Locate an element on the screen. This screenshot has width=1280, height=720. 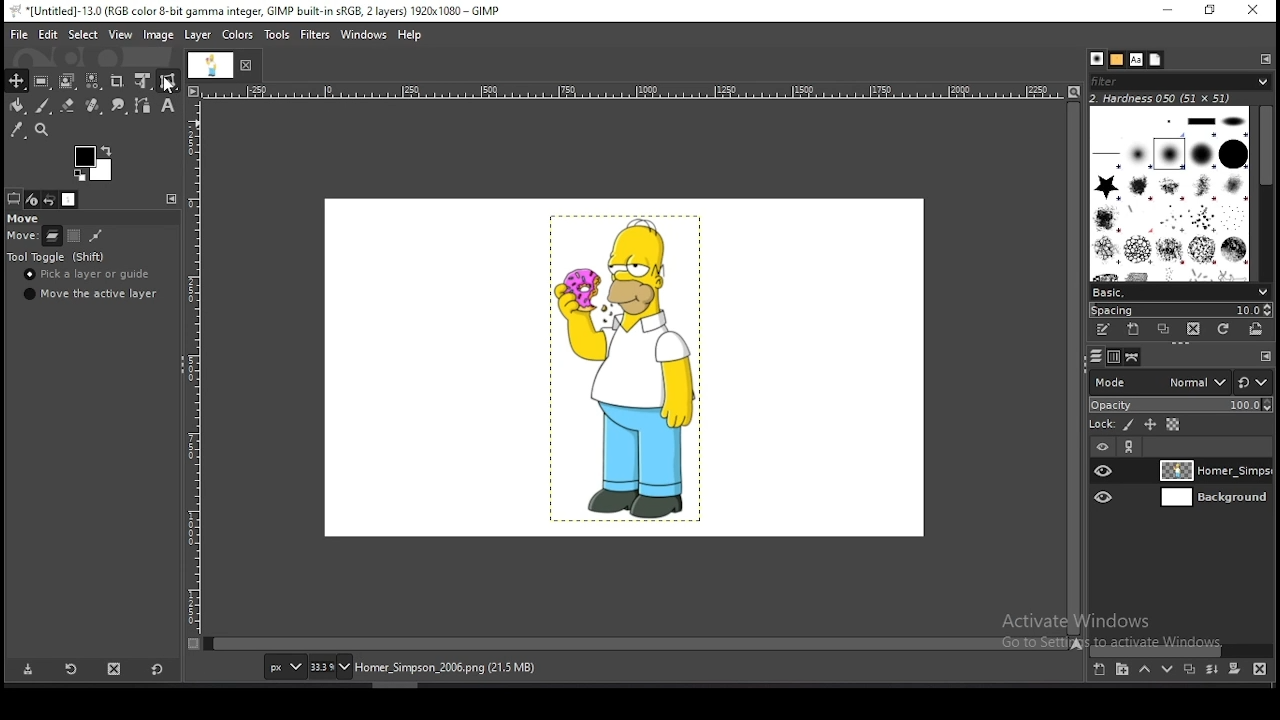
patterns is located at coordinates (1116, 60).